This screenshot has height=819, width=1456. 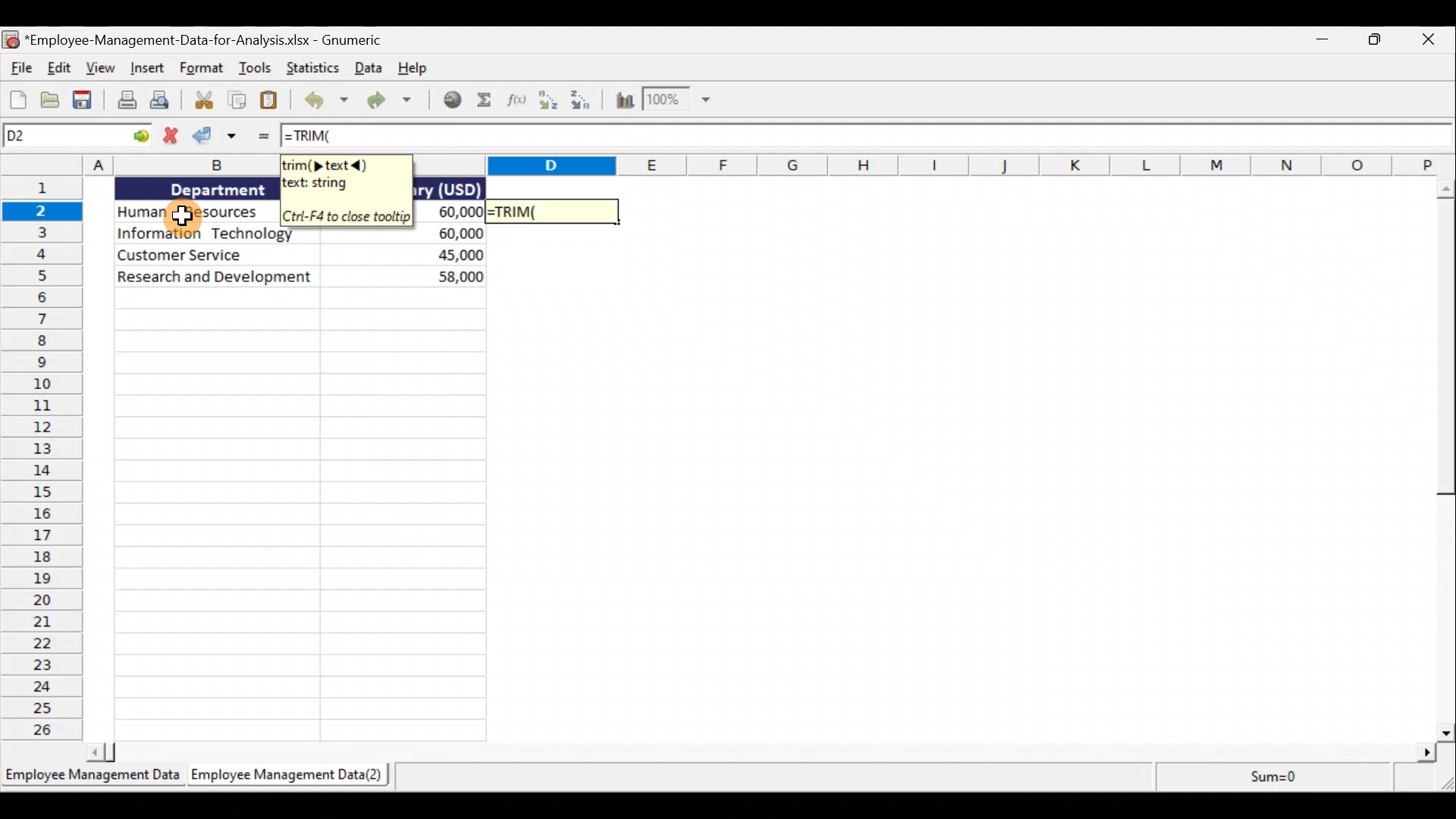 I want to click on Edit a function in the current cell, so click(x=516, y=102).